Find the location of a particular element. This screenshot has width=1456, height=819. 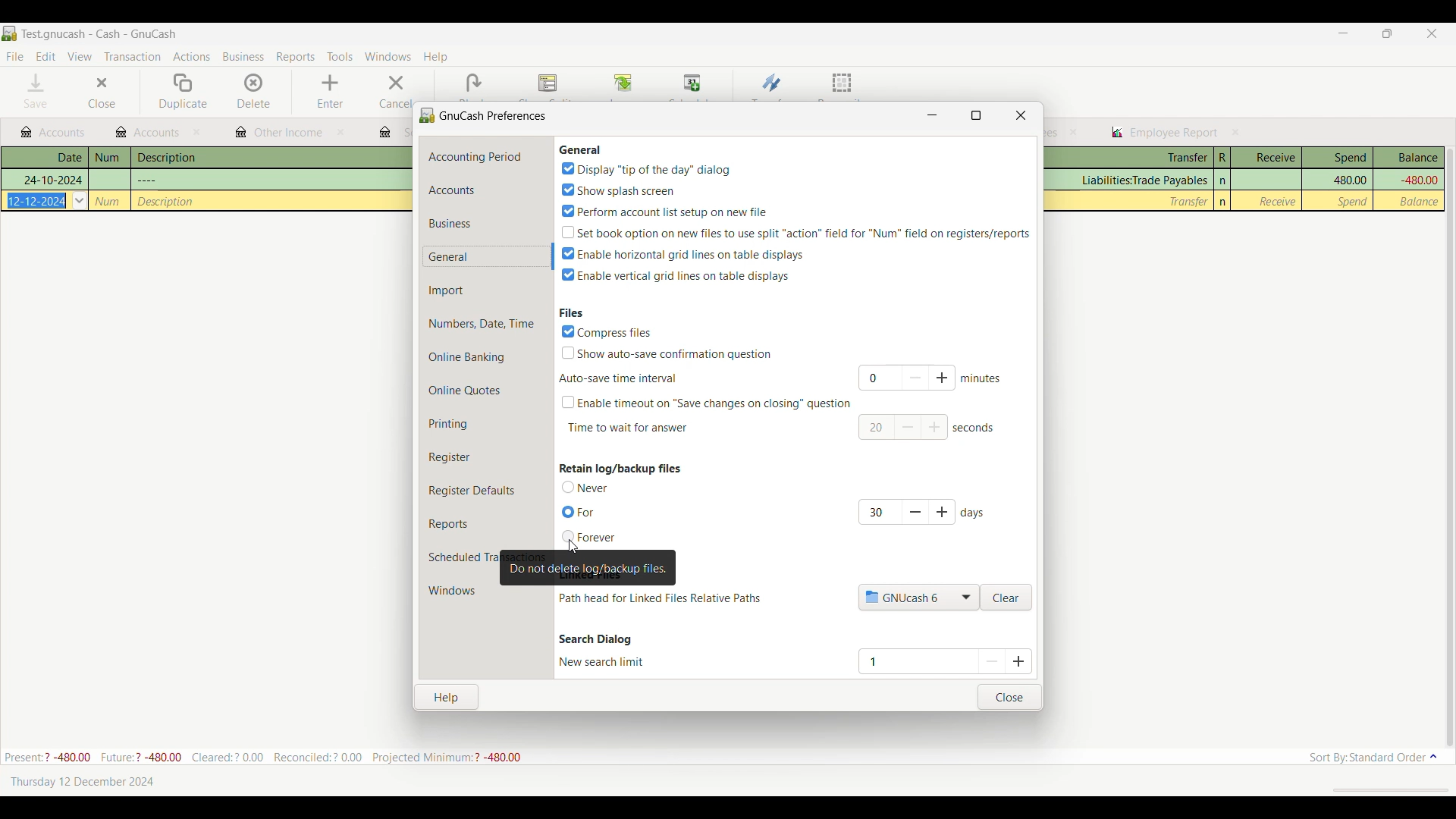

Cancel is located at coordinates (394, 91).